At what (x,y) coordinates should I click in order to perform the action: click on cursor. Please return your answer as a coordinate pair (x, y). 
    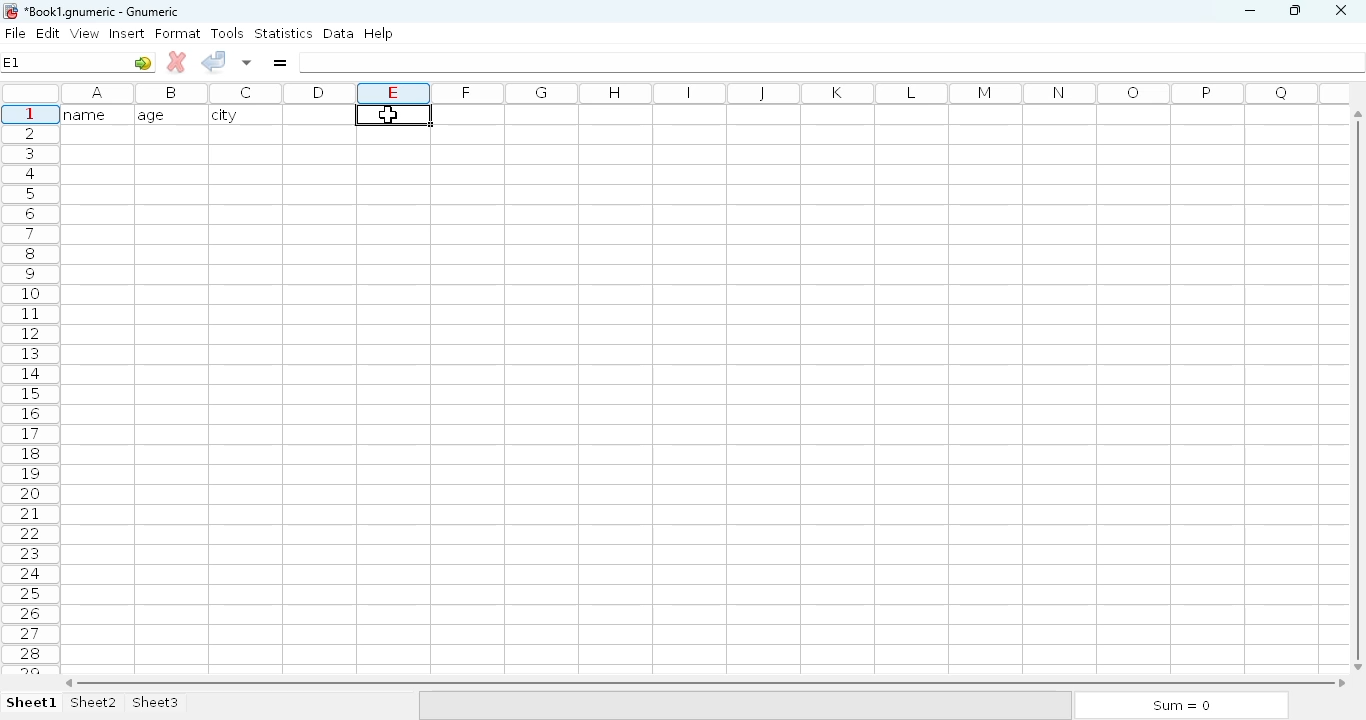
    Looking at the image, I should click on (388, 112).